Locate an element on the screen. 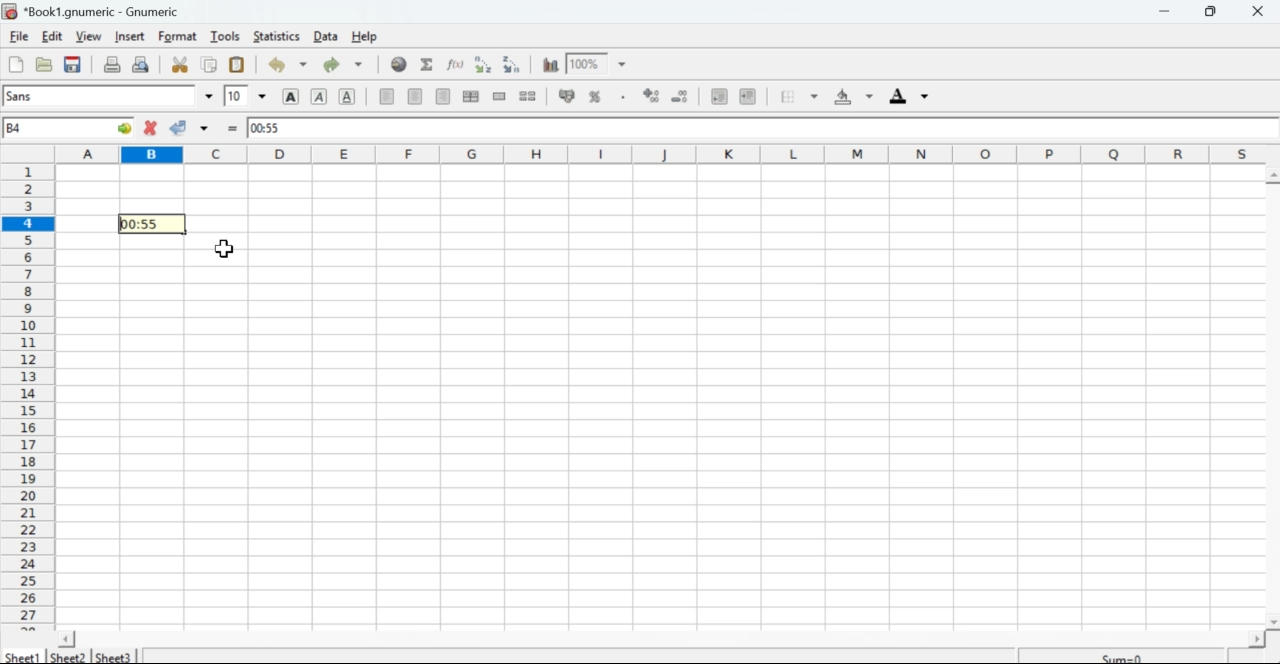  Cancel change is located at coordinates (150, 129).